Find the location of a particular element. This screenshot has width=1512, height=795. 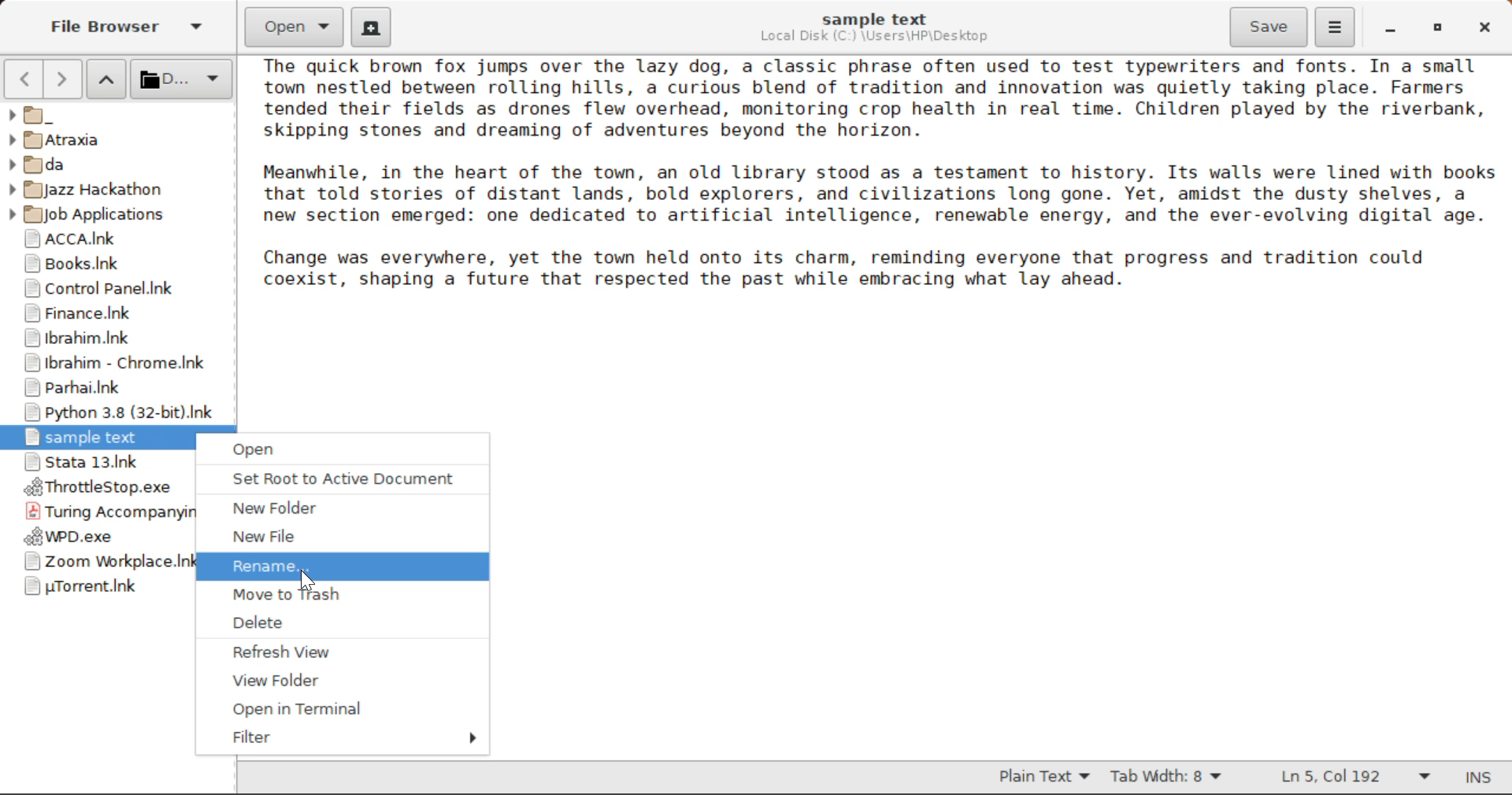

Sample text about a town. is located at coordinates (880, 201).